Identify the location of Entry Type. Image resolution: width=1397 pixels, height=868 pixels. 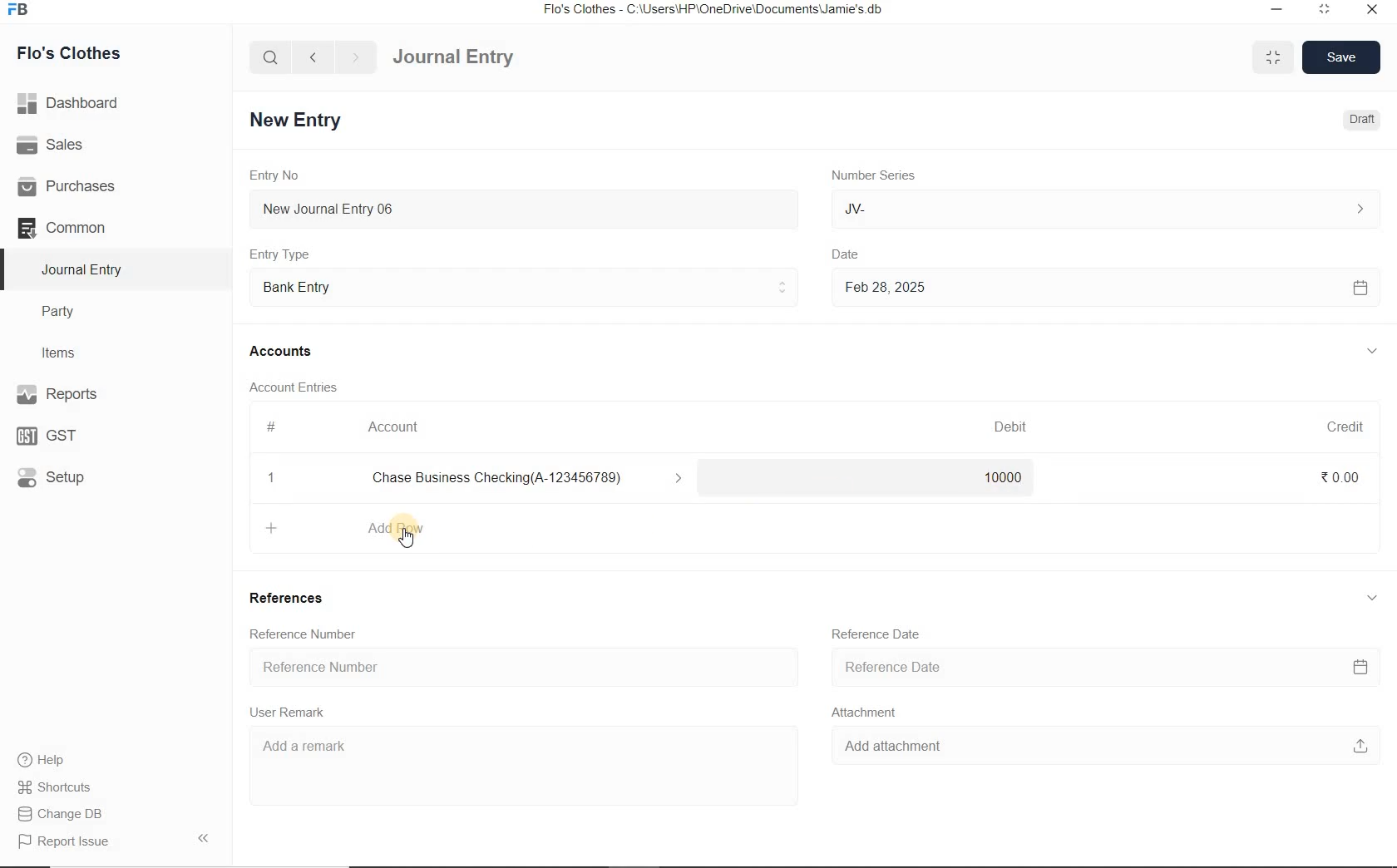
(285, 254).